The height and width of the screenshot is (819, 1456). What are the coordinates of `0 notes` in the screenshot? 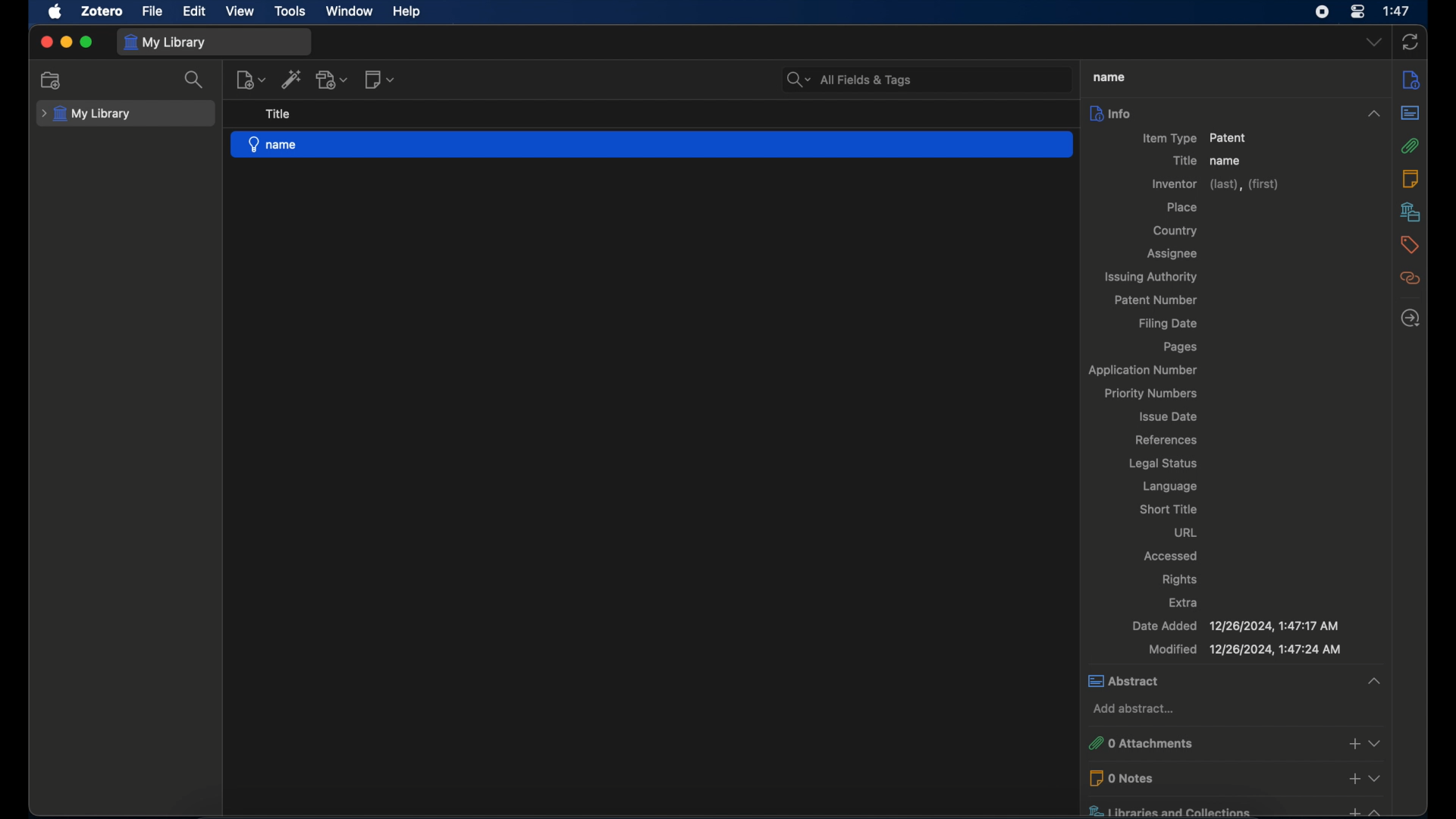 It's located at (1211, 777).